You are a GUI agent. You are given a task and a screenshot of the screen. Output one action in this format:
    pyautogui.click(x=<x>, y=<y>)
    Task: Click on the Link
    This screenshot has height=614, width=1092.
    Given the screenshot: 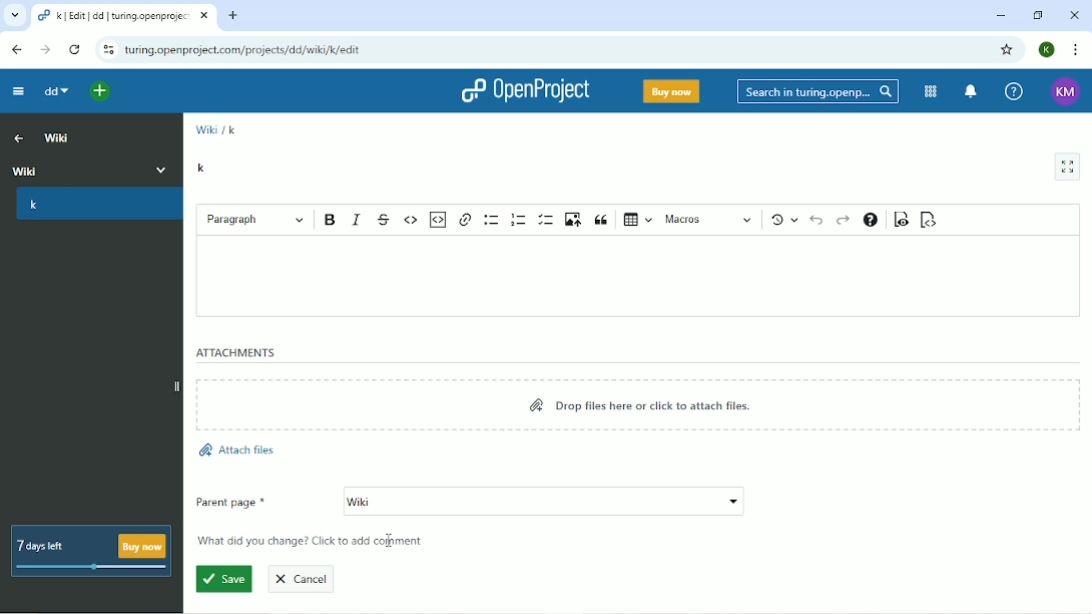 What is the action you would take?
    pyautogui.click(x=466, y=218)
    